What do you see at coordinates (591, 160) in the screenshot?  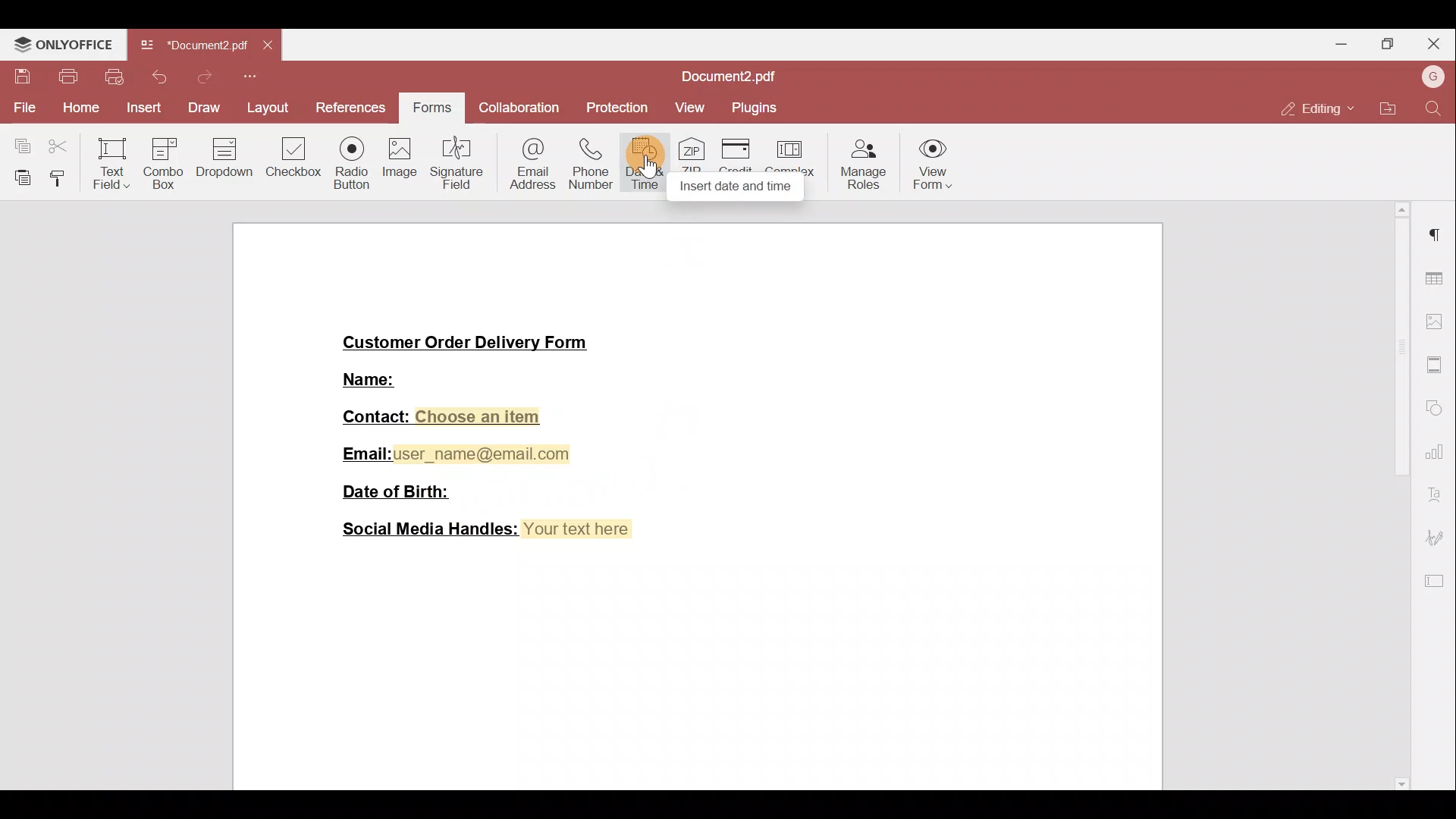 I see `Phone number` at bounding box center [591, 160].